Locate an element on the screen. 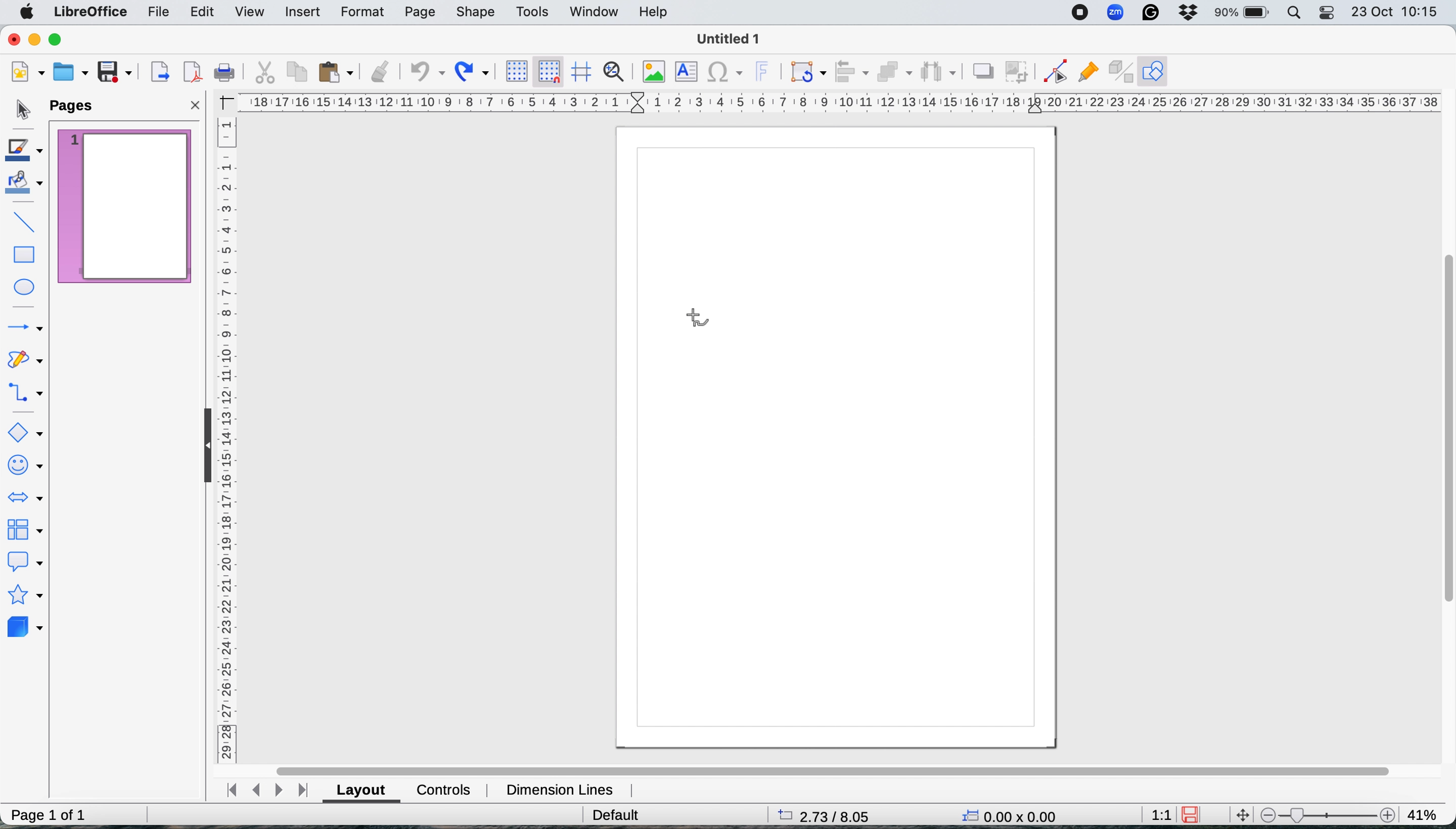 The width and height of the screenshot is (1456, 829). transformations is located at coordinates (807, 73).